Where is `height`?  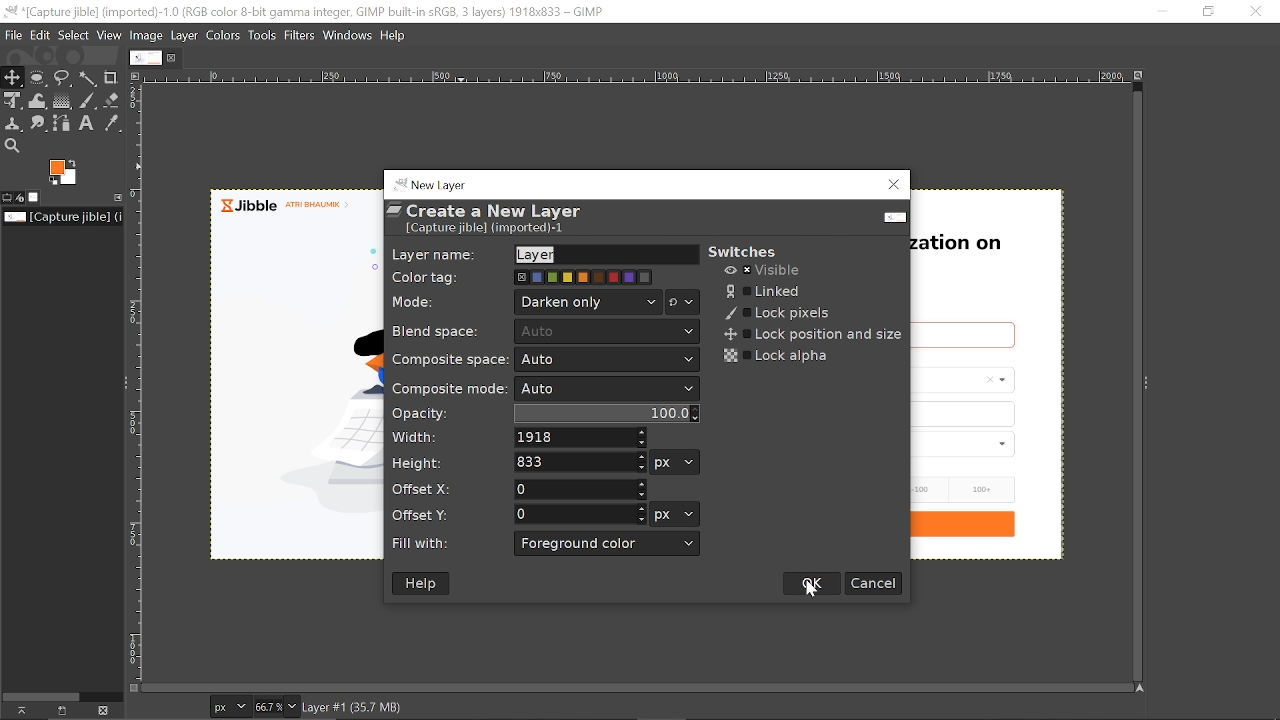 height is located at coordinates (419, 460).